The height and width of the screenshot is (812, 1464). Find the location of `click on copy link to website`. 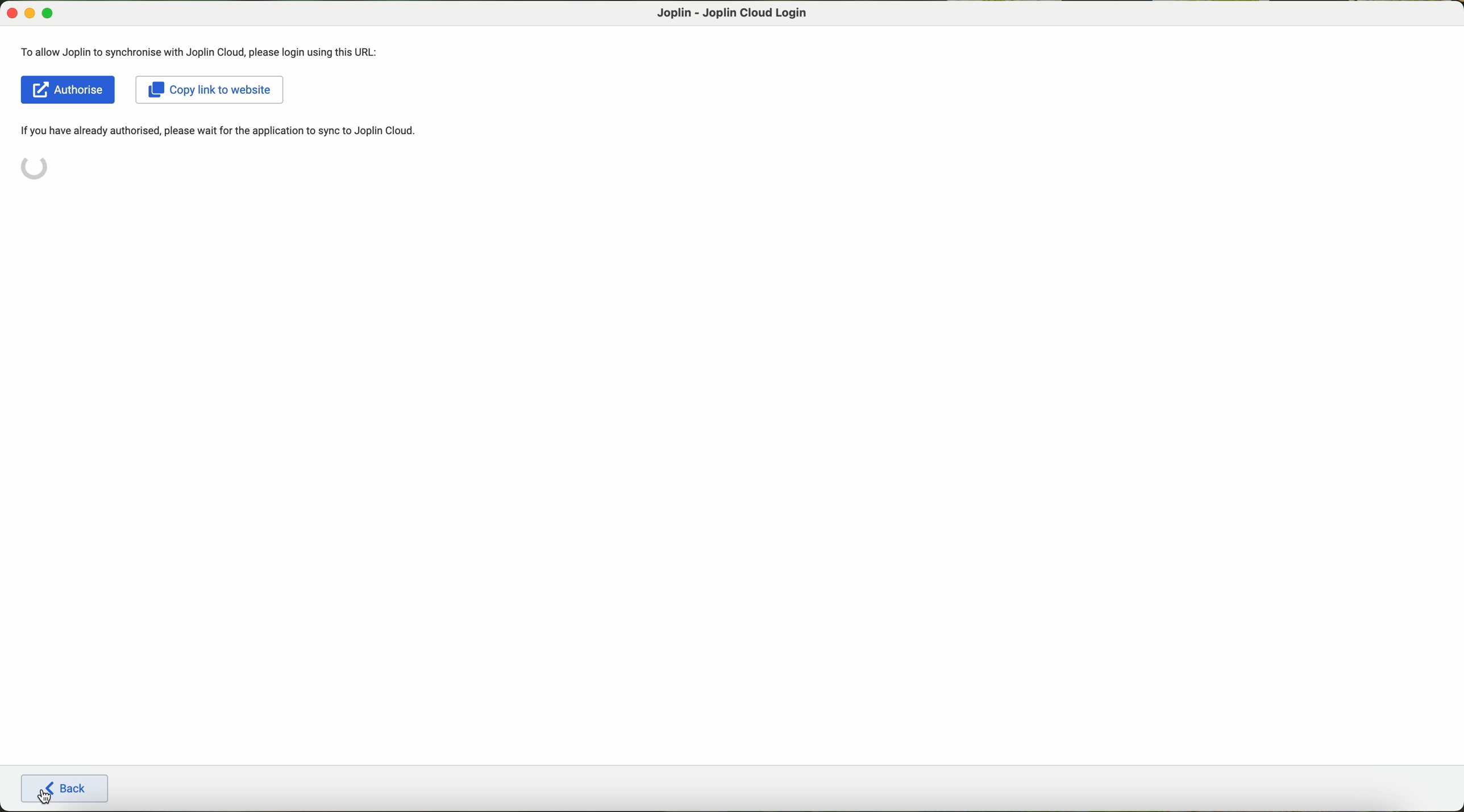

click on copy link to website is located at coordinates (212, 90).